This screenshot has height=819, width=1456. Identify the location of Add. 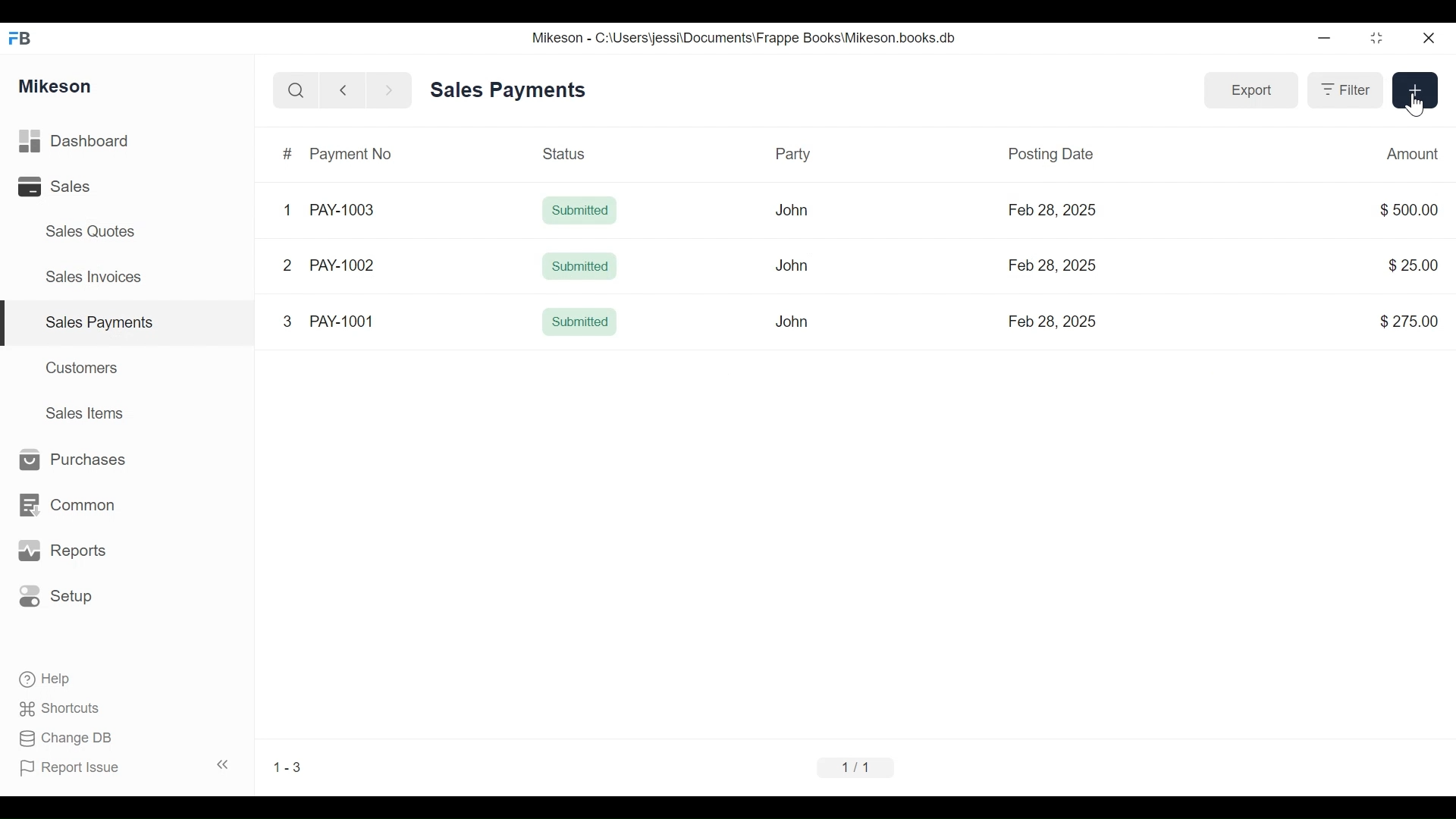
(1414, 89).